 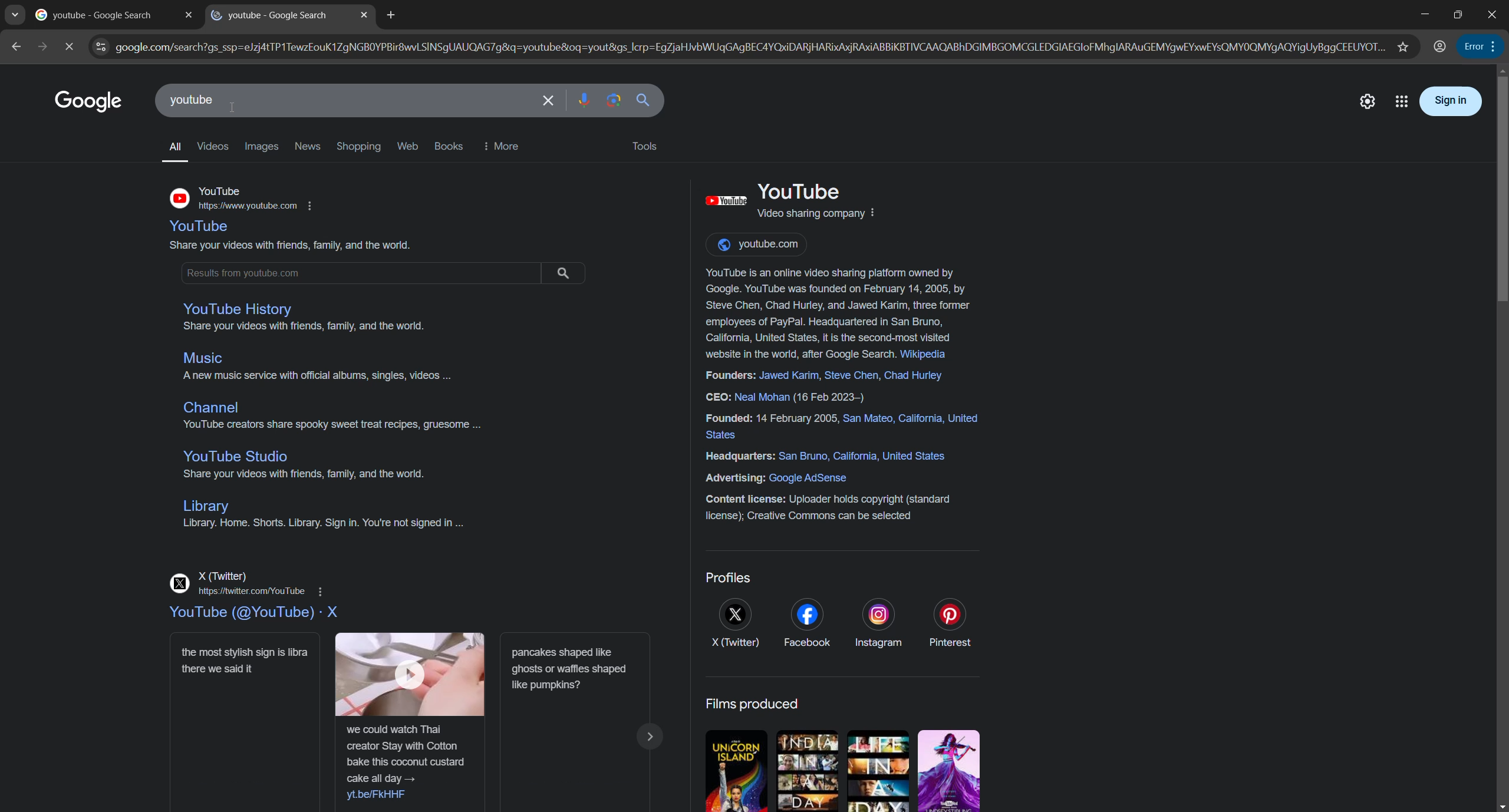 What do you see at coordinates (261, 147) in the screenshot?
I see `images` at bounding box center [261, 147].